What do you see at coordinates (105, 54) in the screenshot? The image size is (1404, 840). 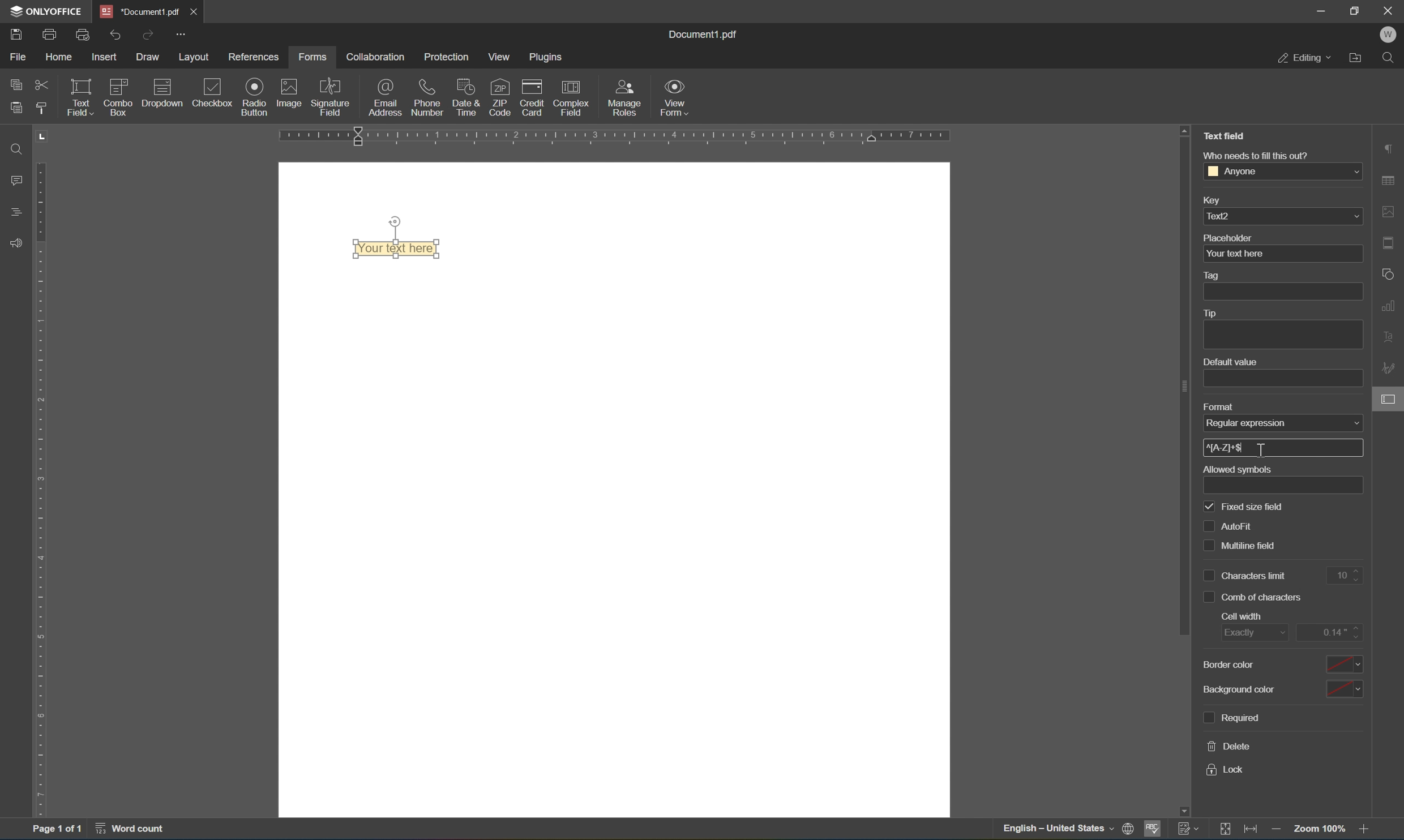 I see `insert` at bounding box center [105, 54].